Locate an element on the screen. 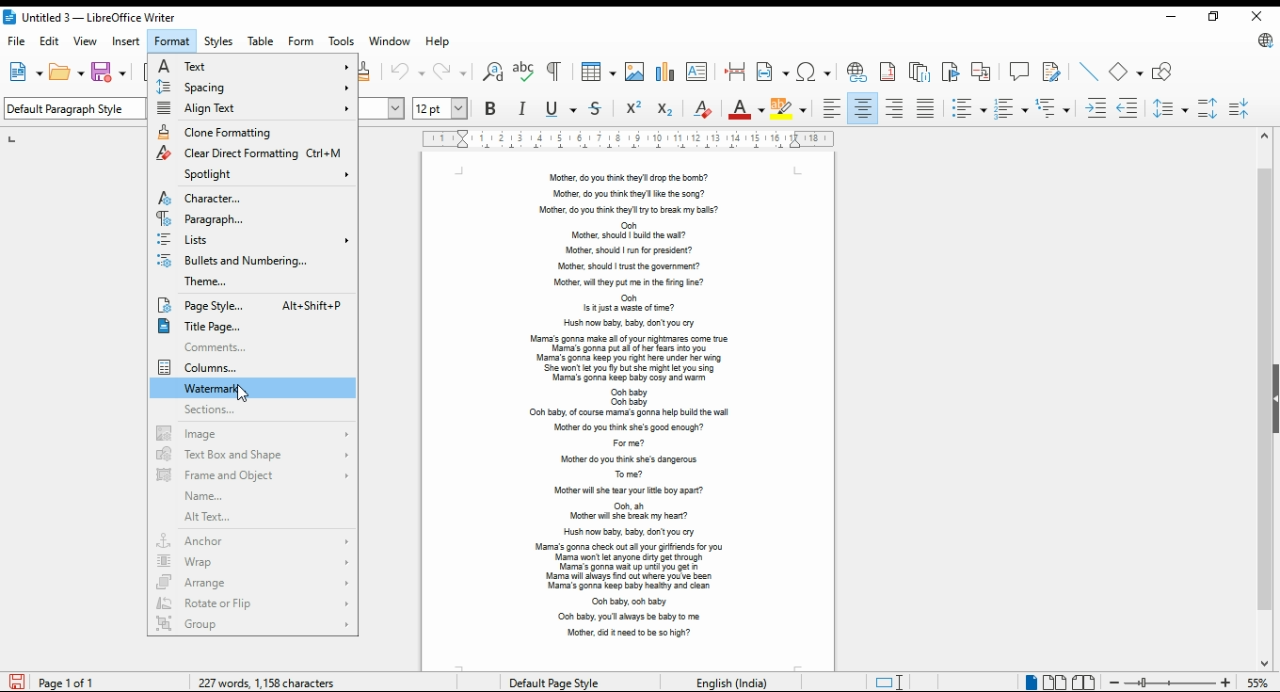  undo is located at coordinates (408, 72).